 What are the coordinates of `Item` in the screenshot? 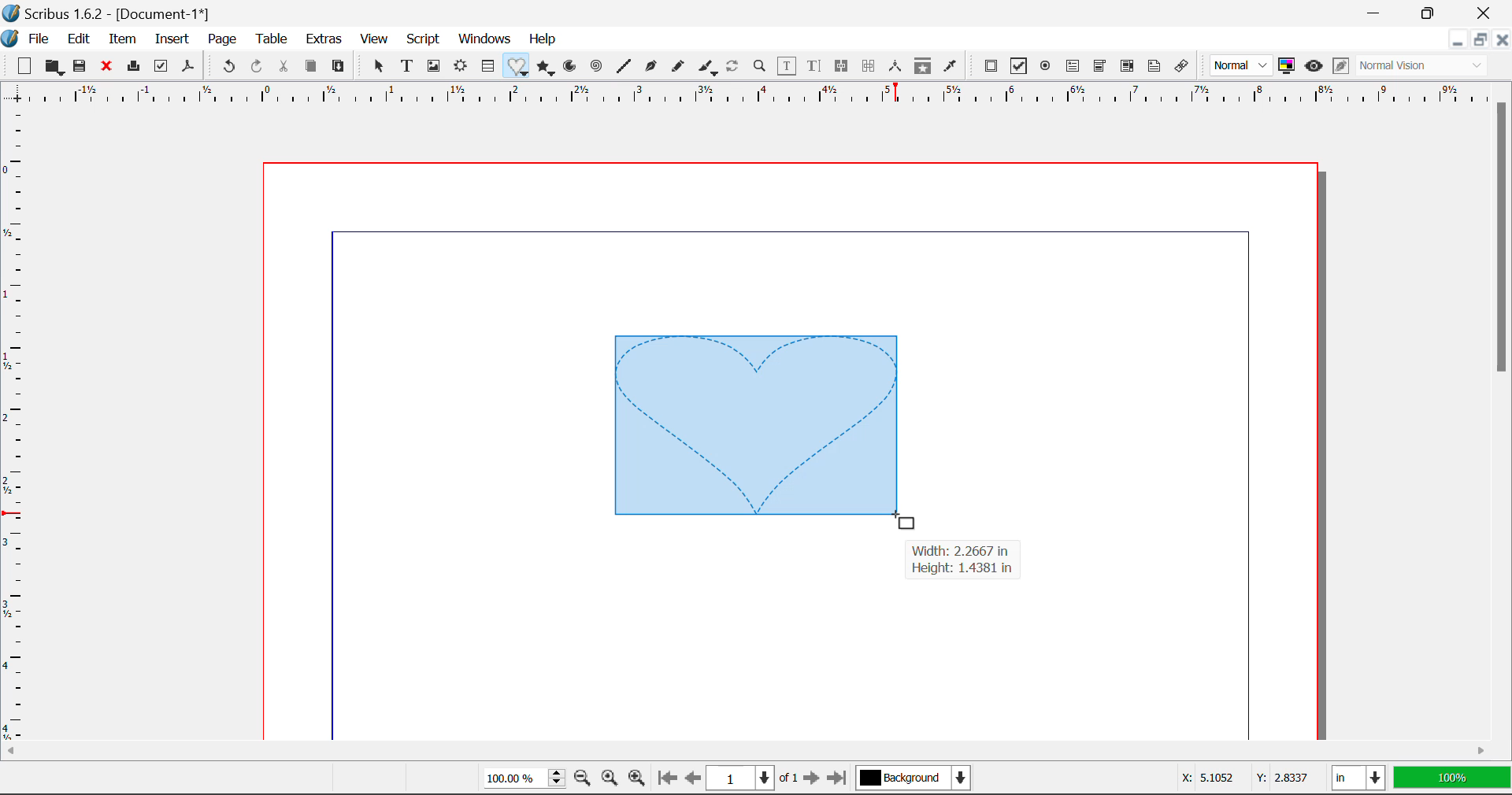 It's located at (123, 40).